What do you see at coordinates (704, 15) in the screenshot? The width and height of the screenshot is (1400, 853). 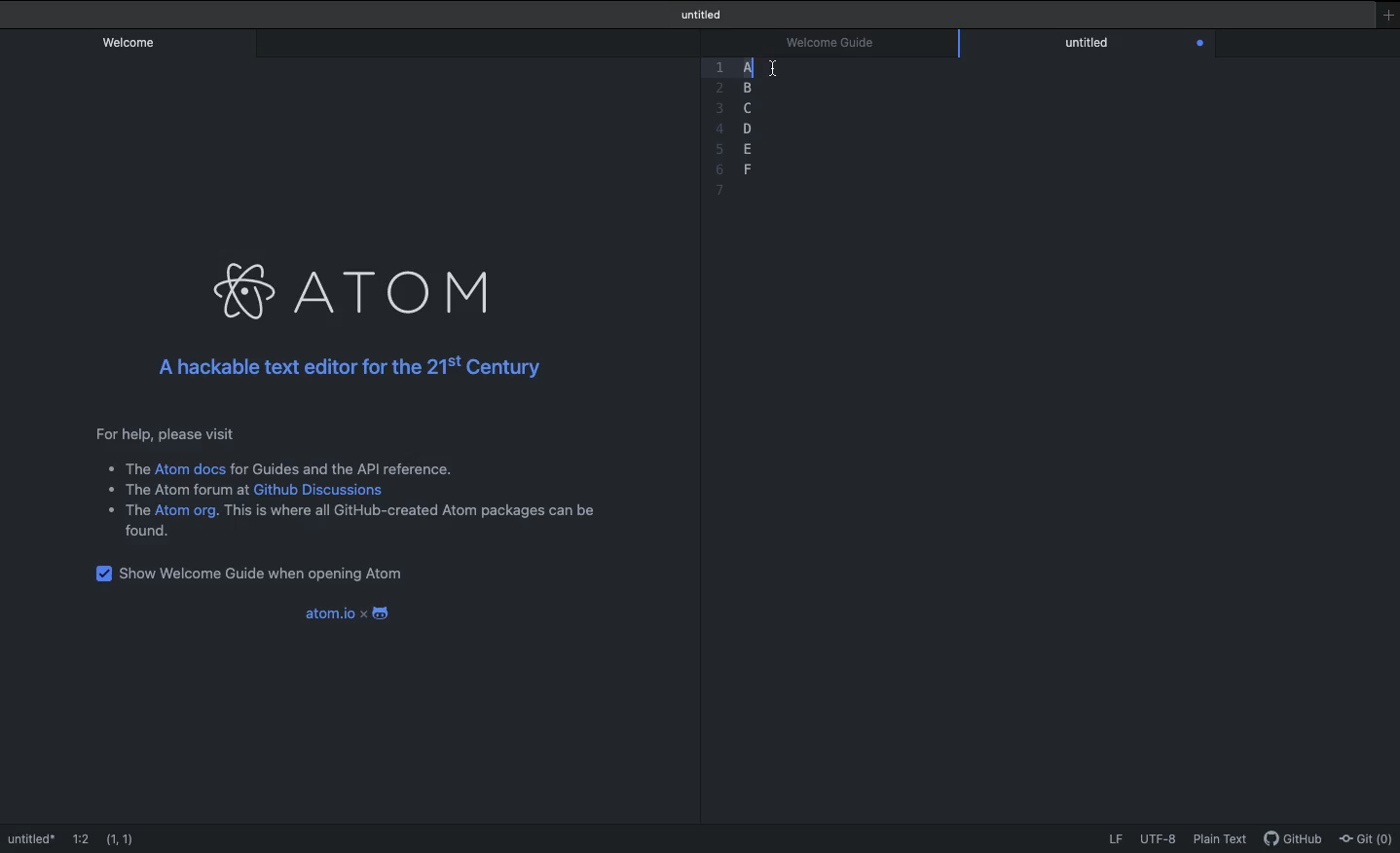 I see `Welcome guide` at bounding box center [704, 15].